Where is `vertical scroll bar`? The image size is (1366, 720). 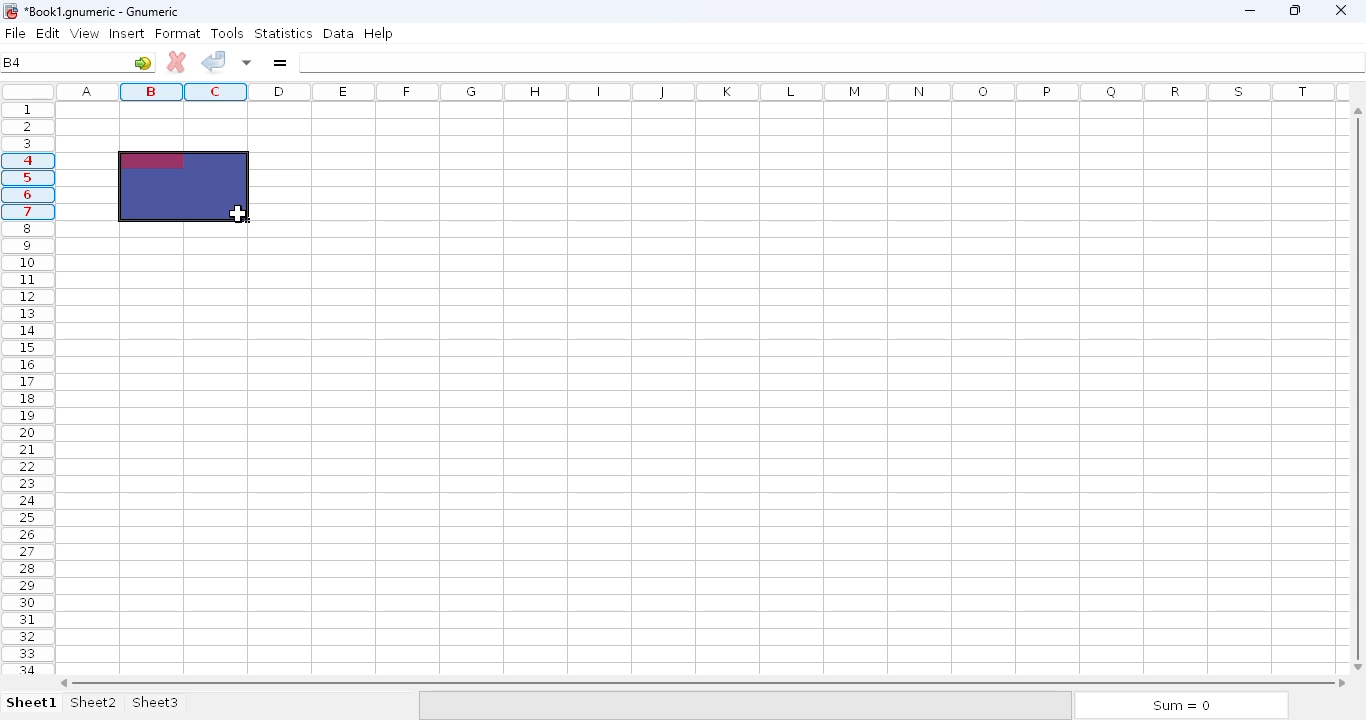 vertical scroll bar is located at coordinates (1358, 399).